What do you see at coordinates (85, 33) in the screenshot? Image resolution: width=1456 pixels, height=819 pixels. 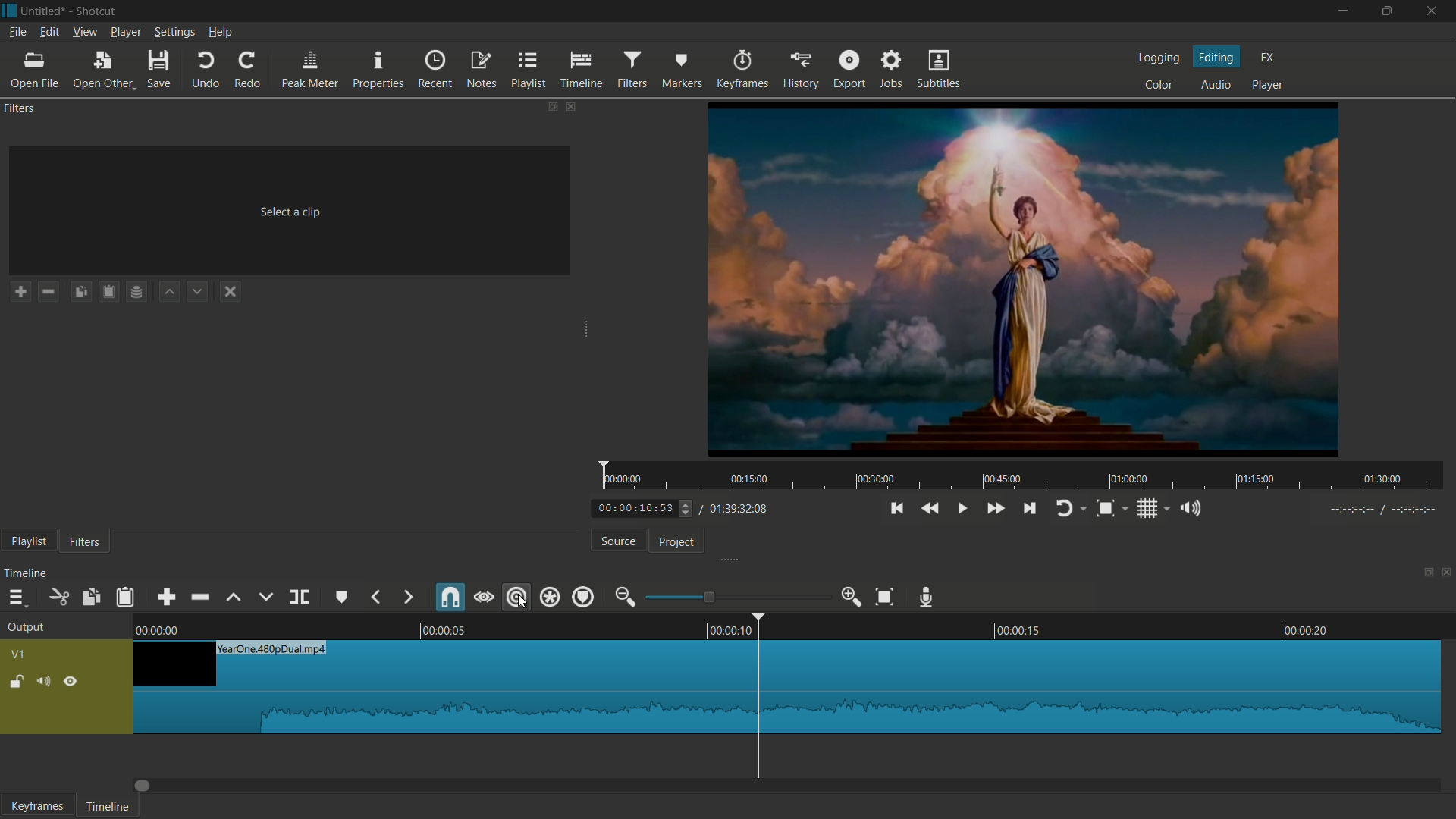 I see `view menu` at bounding box center [85, 33].